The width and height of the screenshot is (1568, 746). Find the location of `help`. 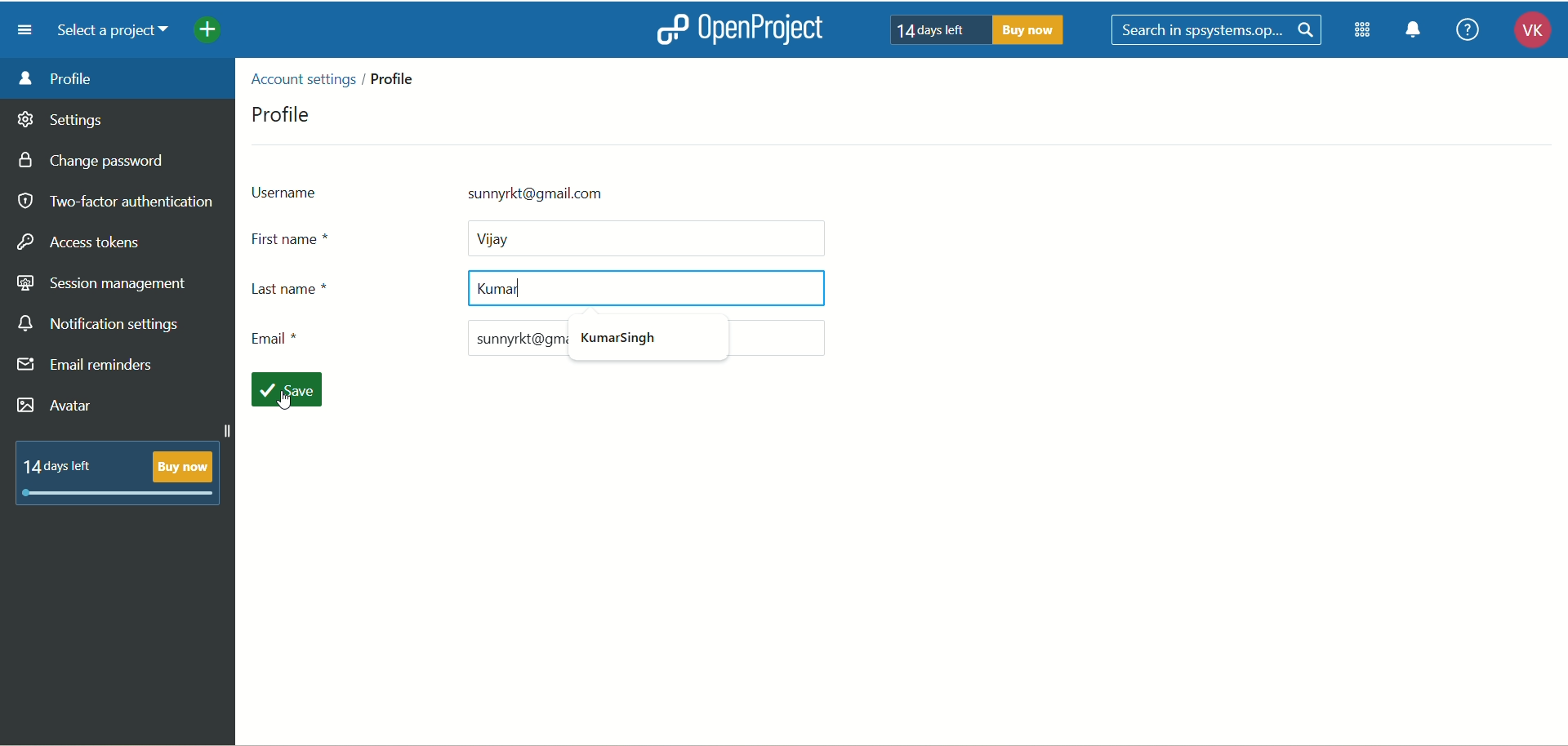

help is located at coordinates (1467, 29).